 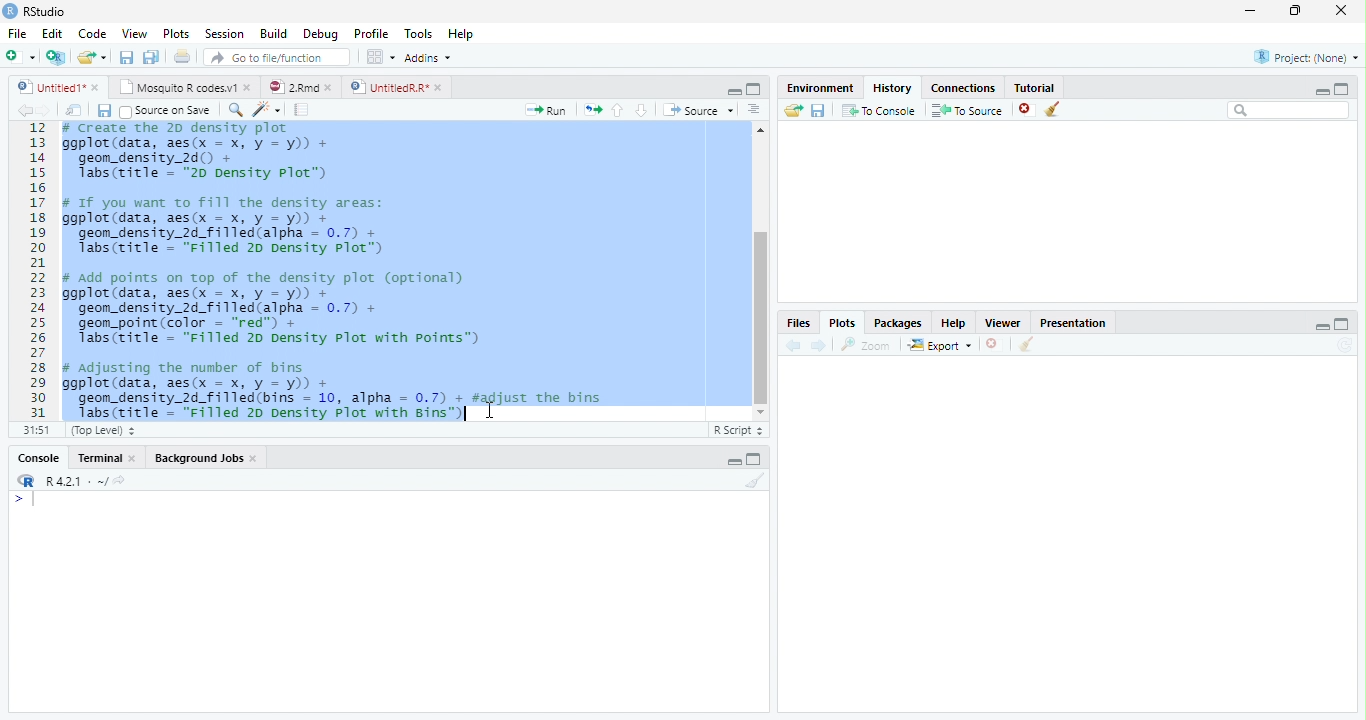 I want to click on Session, so click(x=225, y=34).